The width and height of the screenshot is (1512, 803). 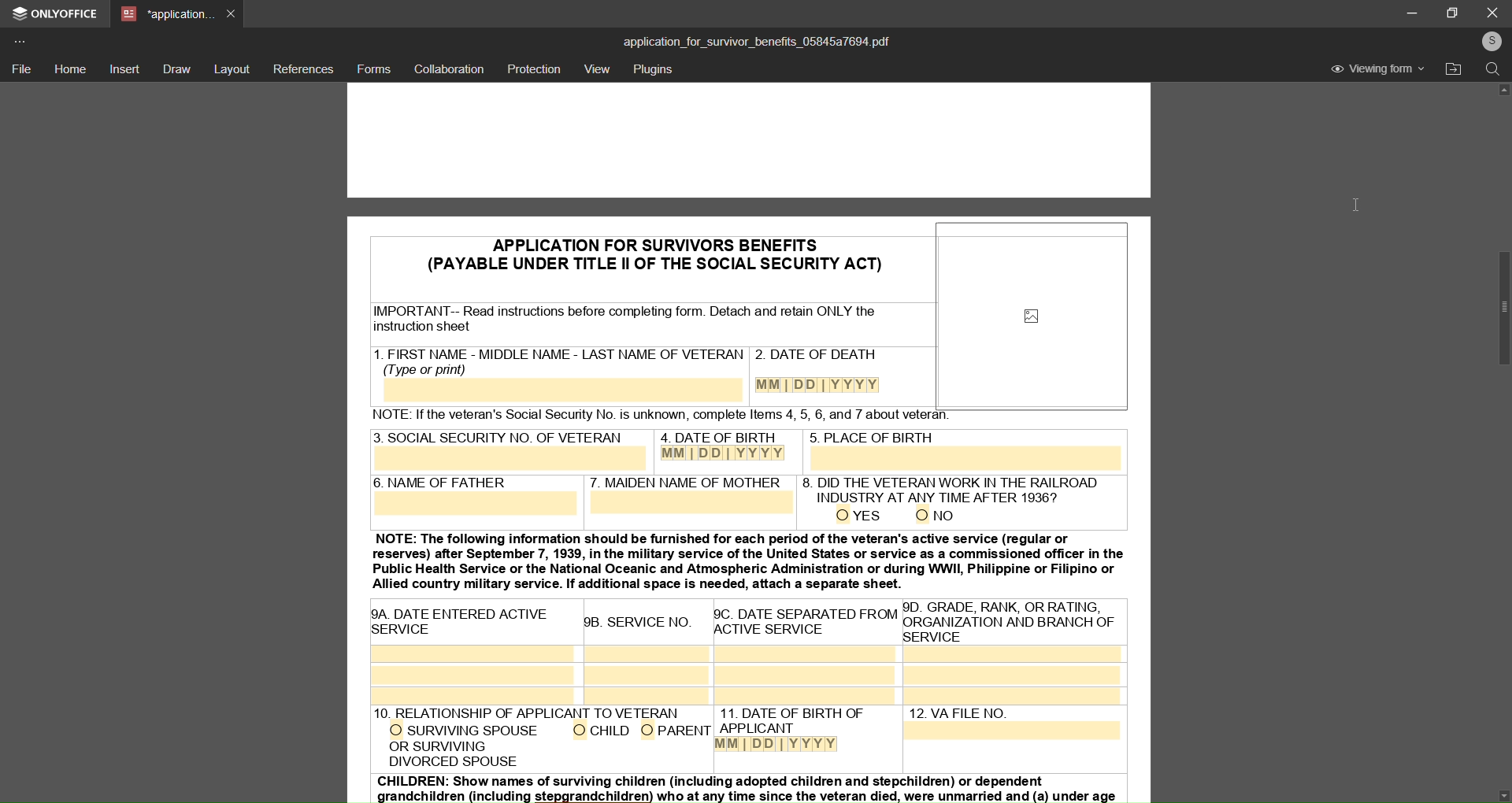 What do you see at coordinates (1039, 607) in the screenshot?
I see `PDF of application for survivors benefits` at bounding box center [1039, 607].